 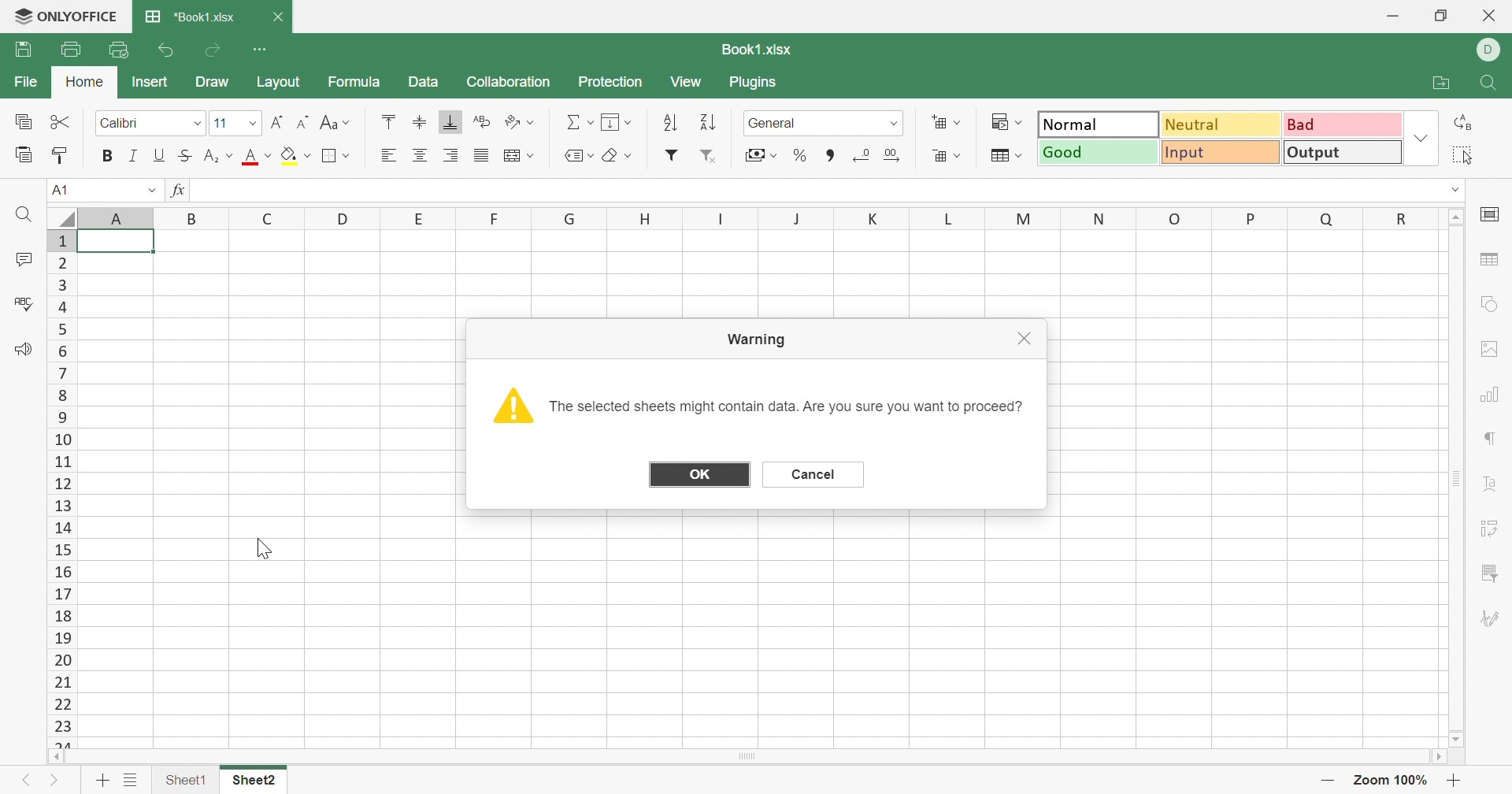 What do you see at coordinates (55, 777) in the screenshot?
I see `next` at bounding box center [55, 777].